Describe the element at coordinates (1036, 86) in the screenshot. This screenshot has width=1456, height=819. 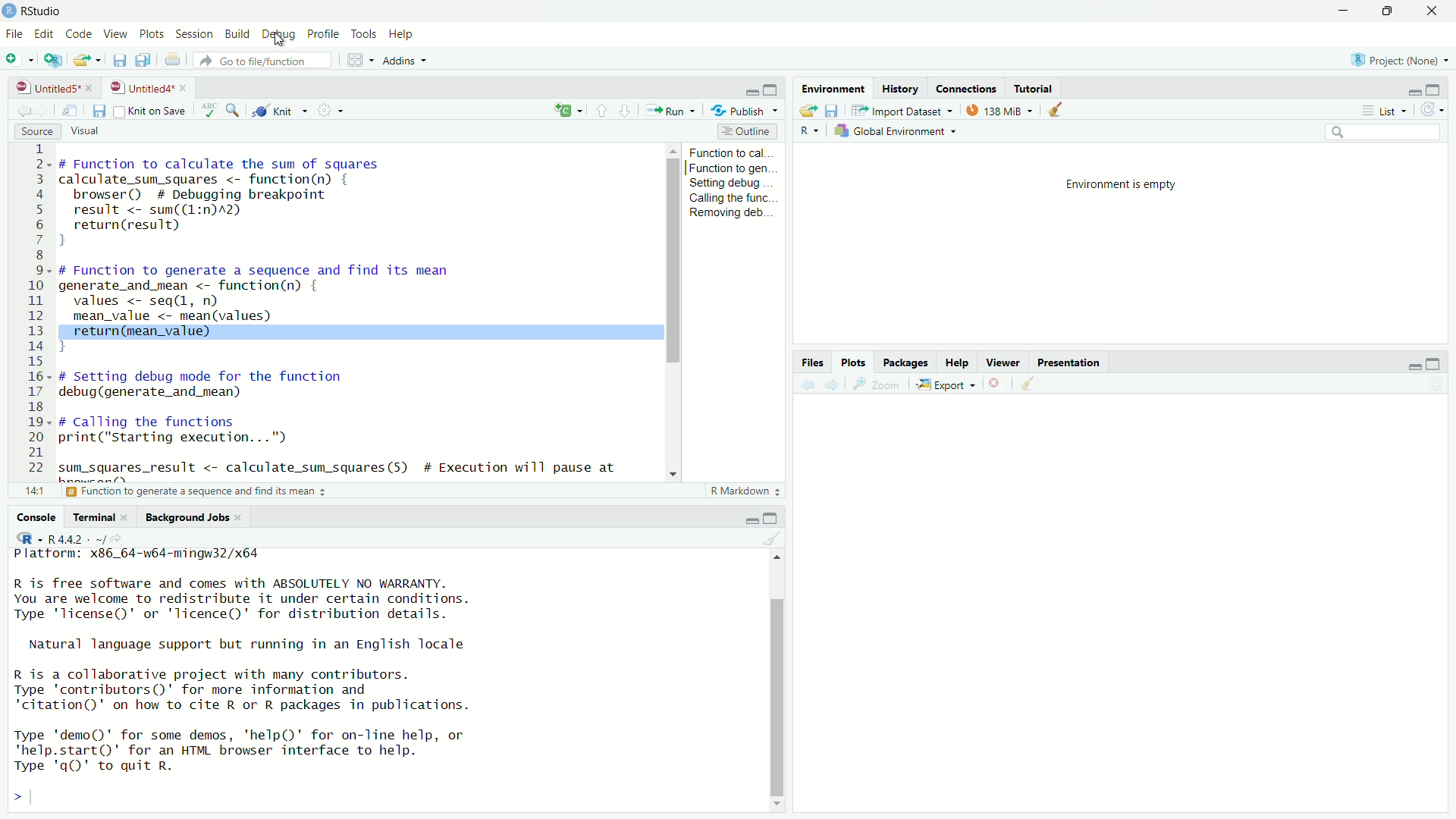
I see `tutorial` at that location.